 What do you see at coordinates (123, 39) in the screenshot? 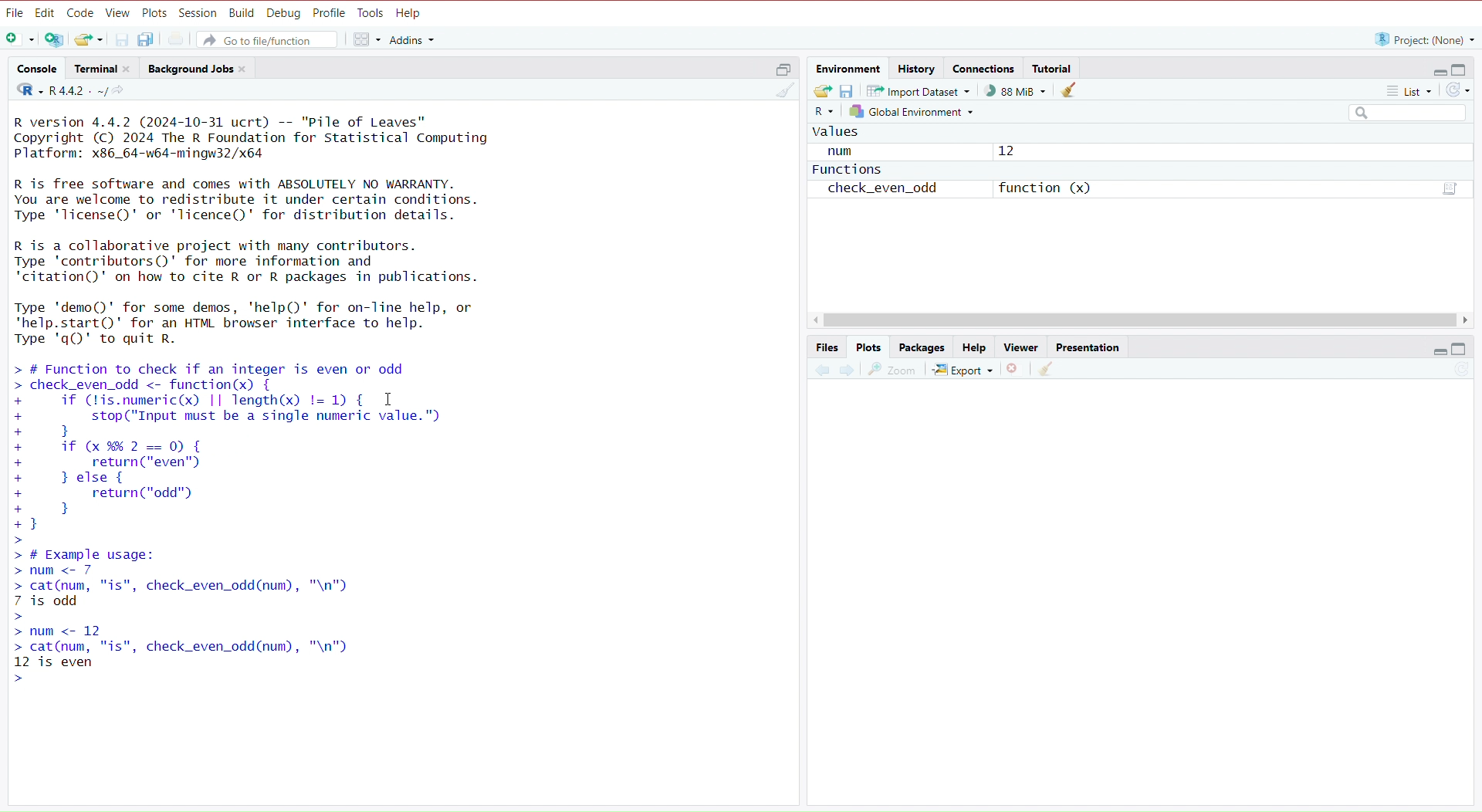
I see `save current document` at bounding box center [123, 39].